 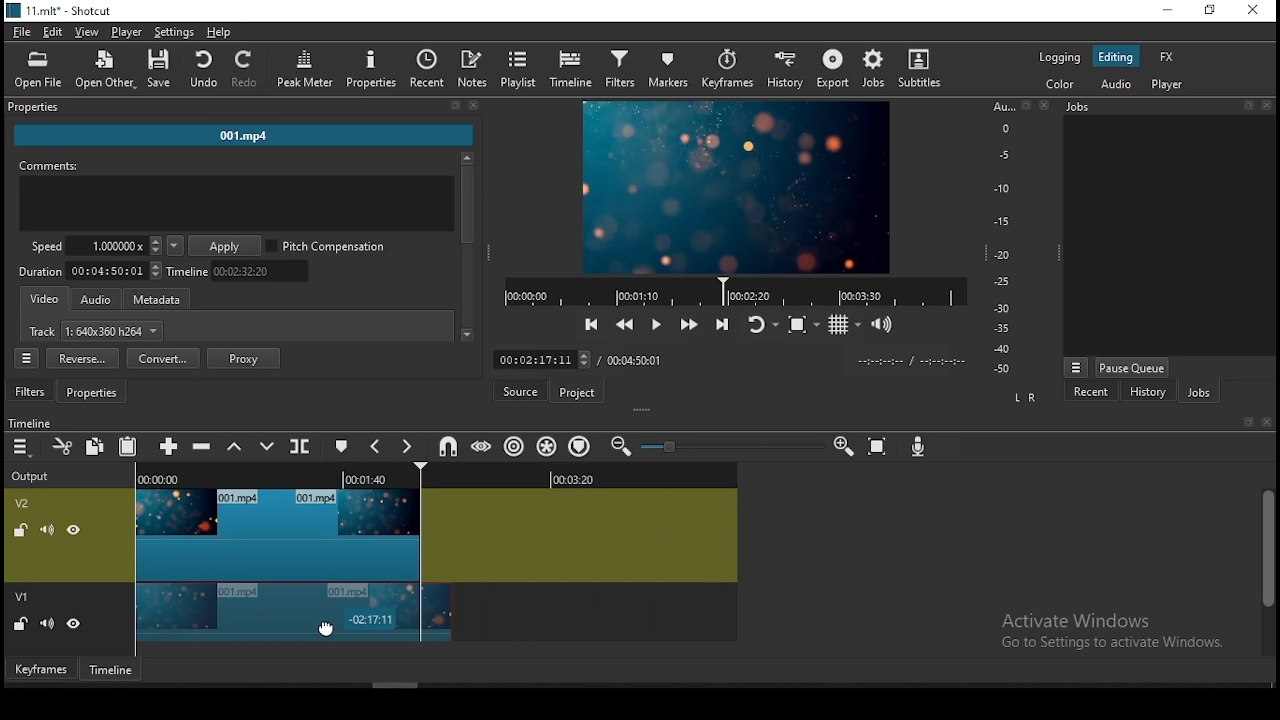 What do you see at coordinates (879, 443) in the screenshot?
I see `zoom timeline to fit` at bounding box center [879, 443].